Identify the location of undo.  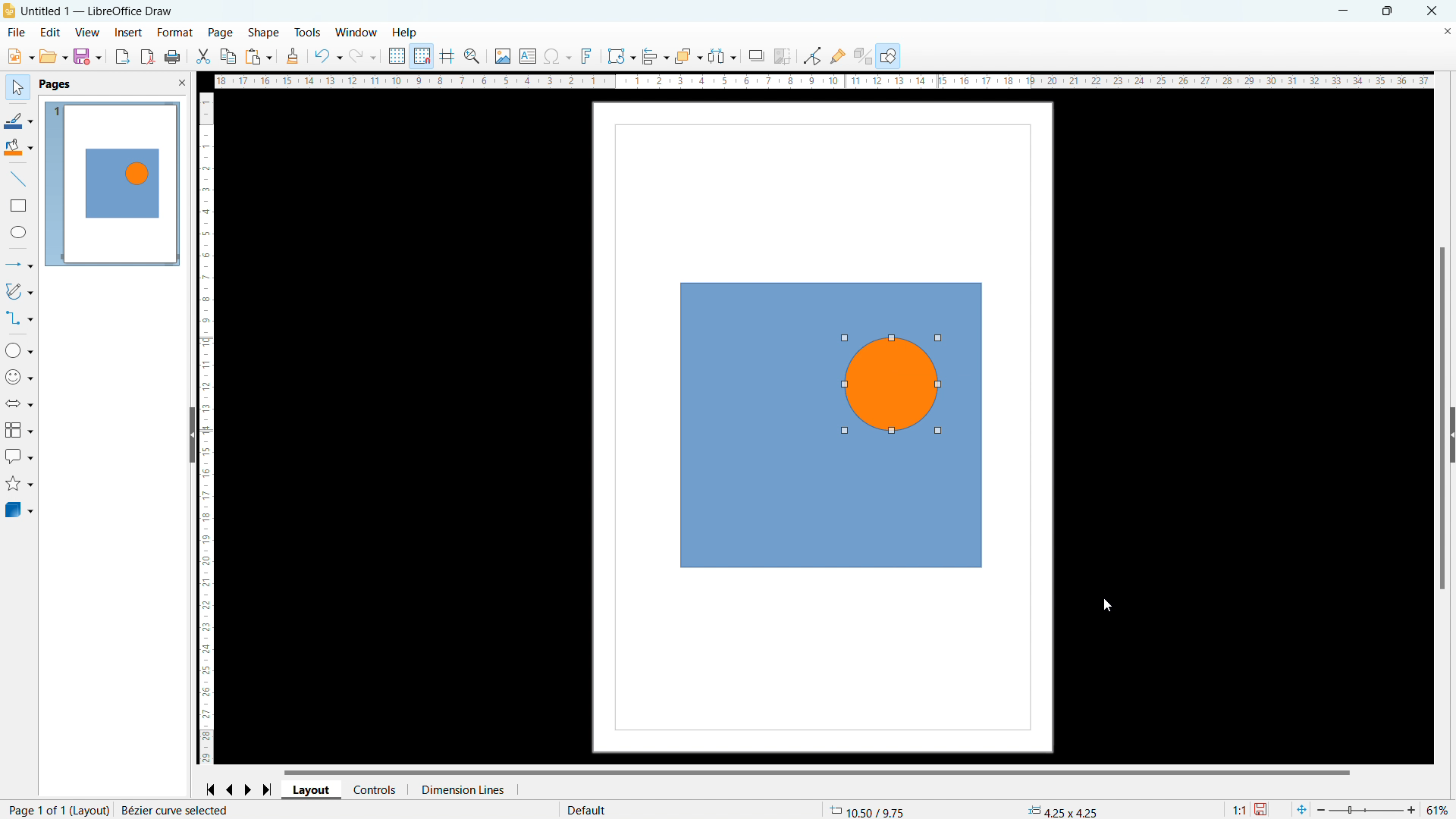
(328, 55).